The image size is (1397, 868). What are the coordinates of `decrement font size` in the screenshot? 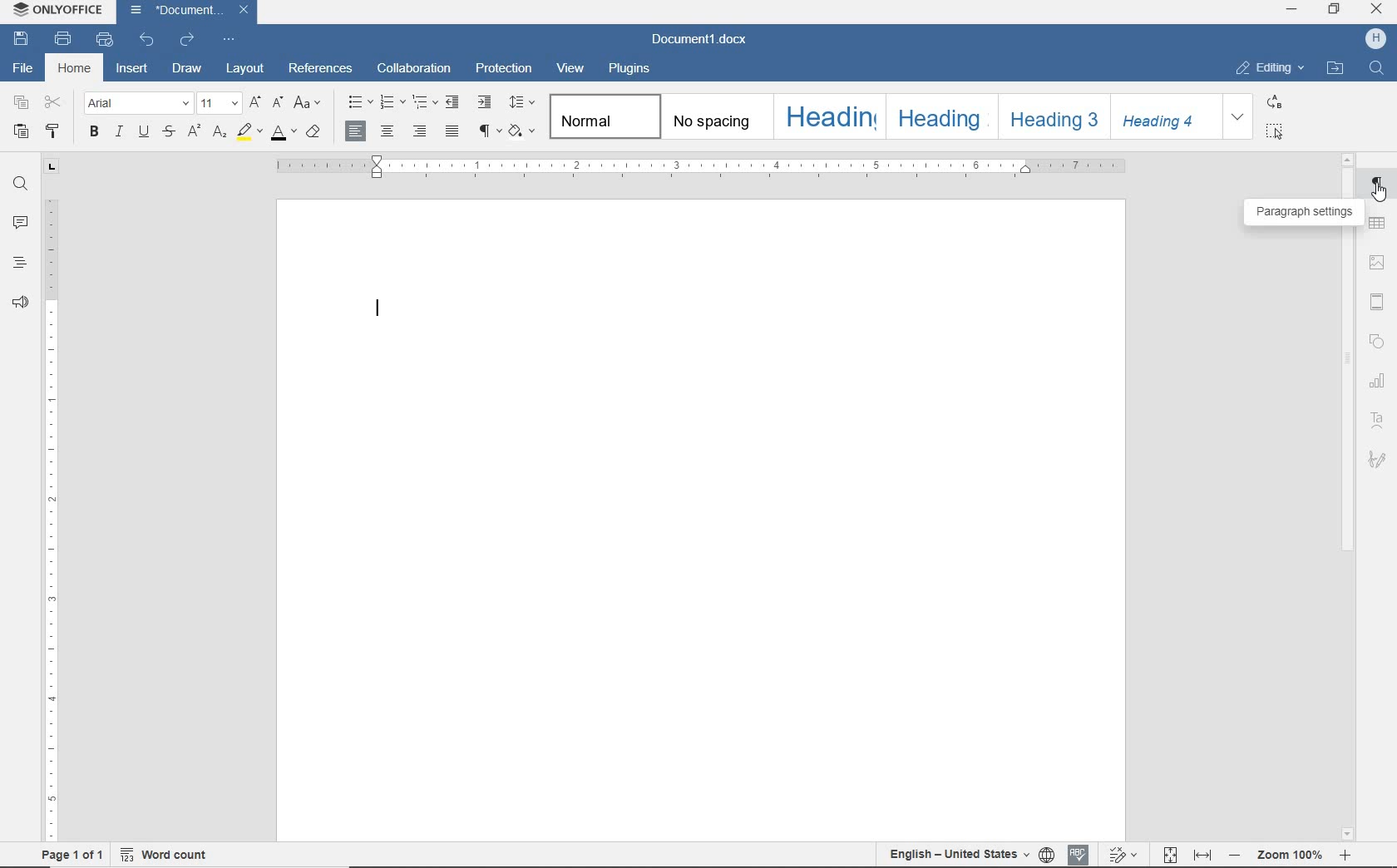 It's located at (277, 102).